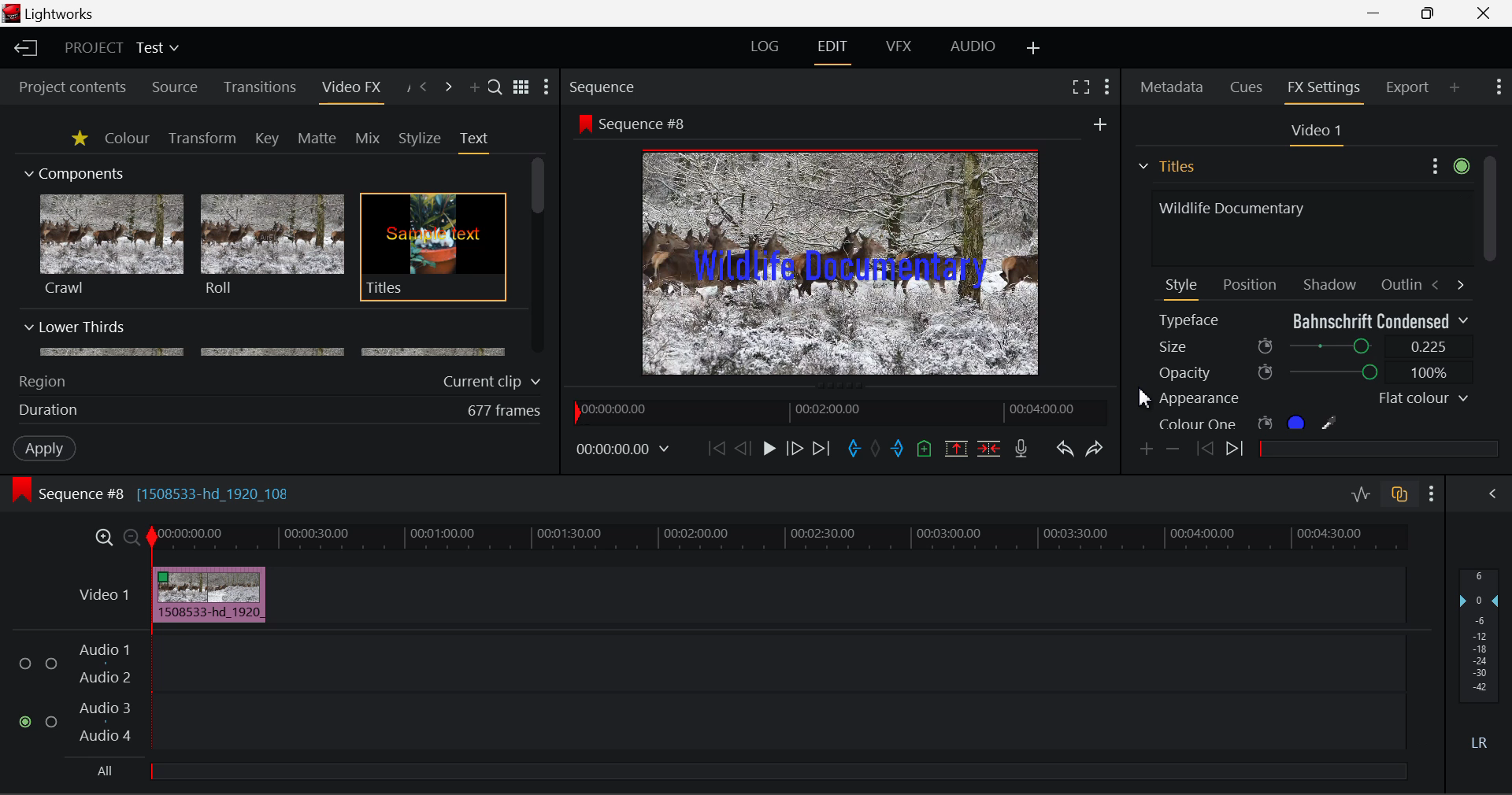 The width and height of the screenshot is (1512, 795). What do you see at coordinates (205, 595) in the screenshot?
I see `Clip Inserted` at bounding box center [205, 595].